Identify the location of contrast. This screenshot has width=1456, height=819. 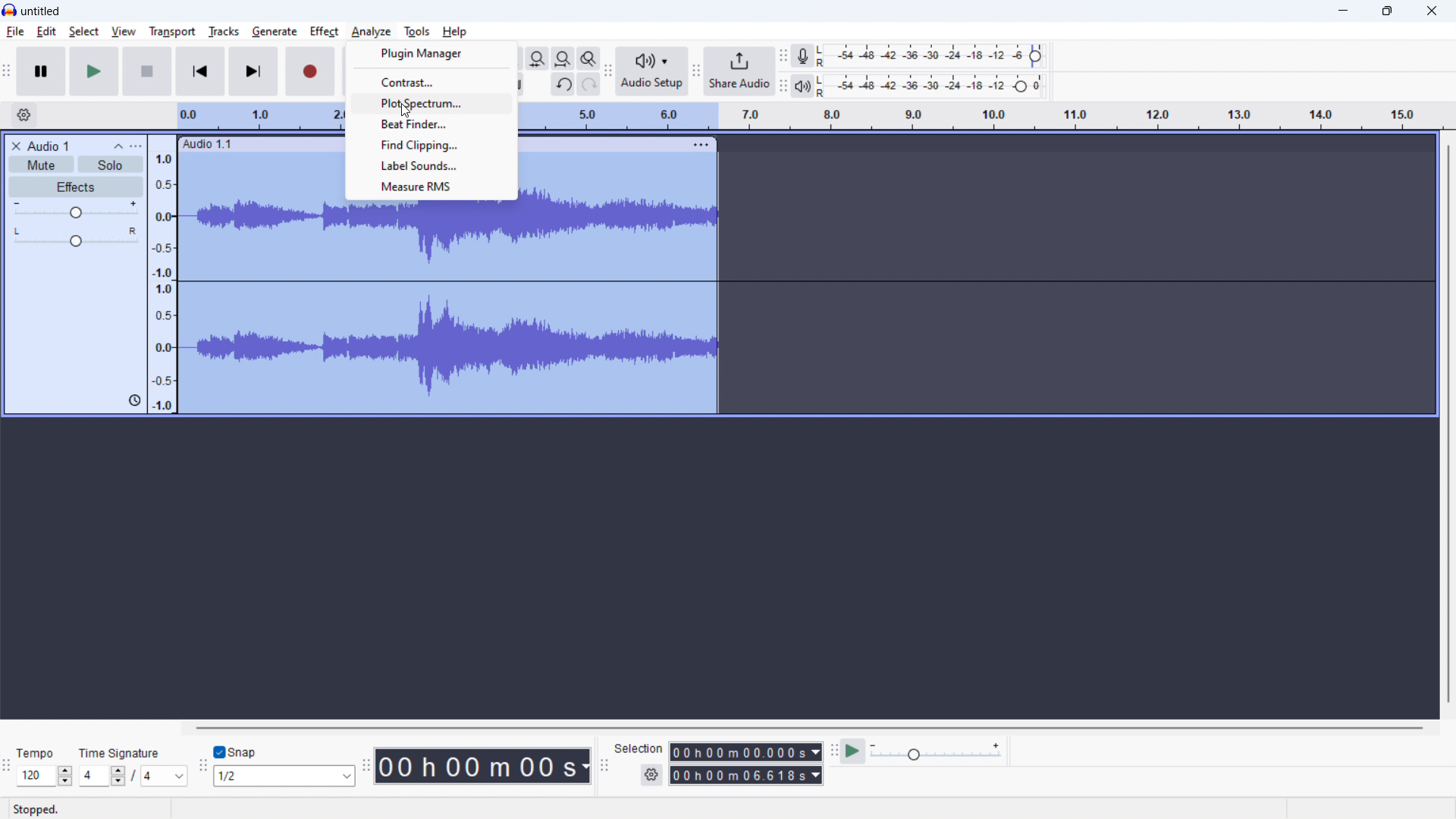
(433, 81).